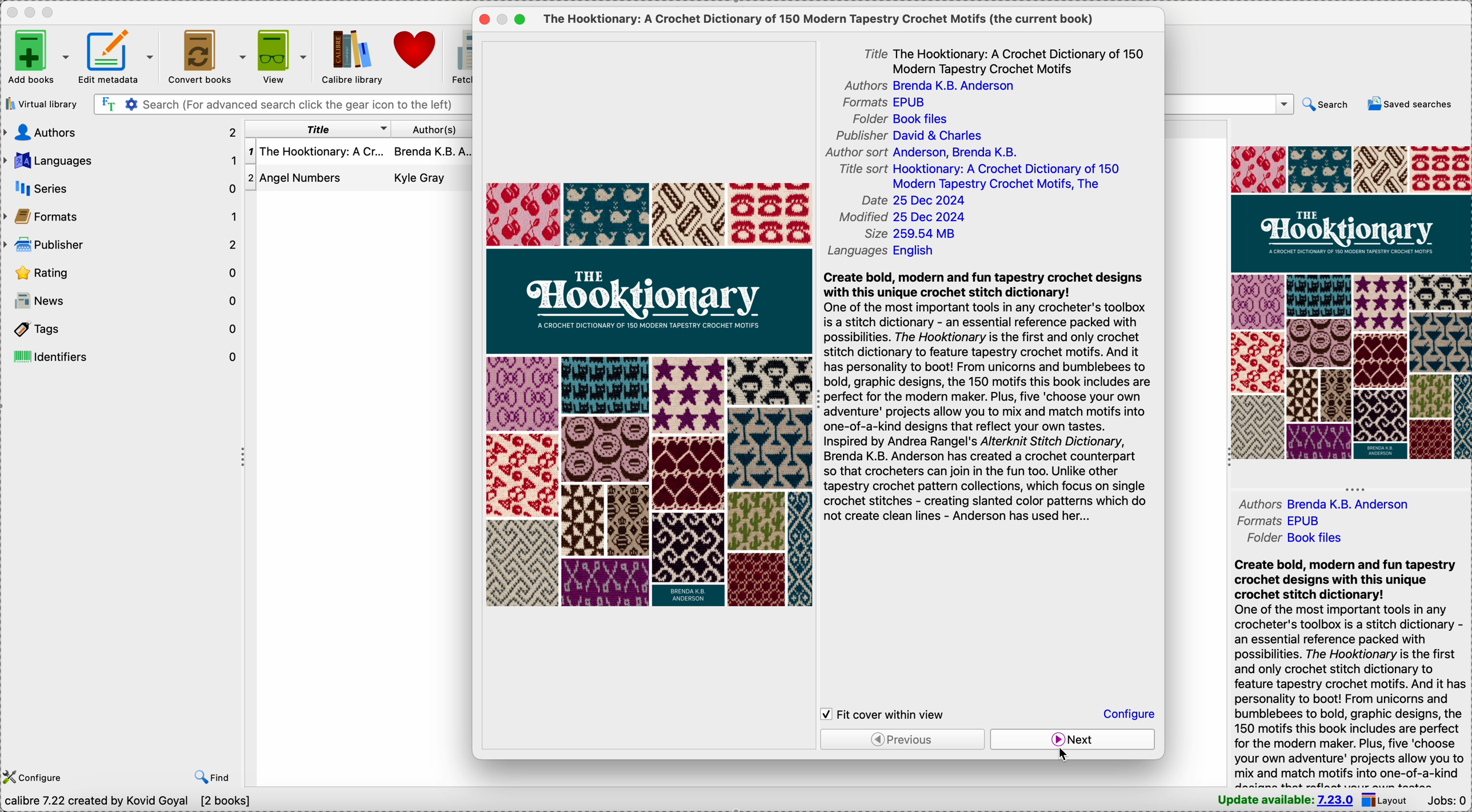 The width and height of the screenshot is (1472, 812). Describe the element at coordinates (936, 86) in the screenshot. I see `authors` at that location.